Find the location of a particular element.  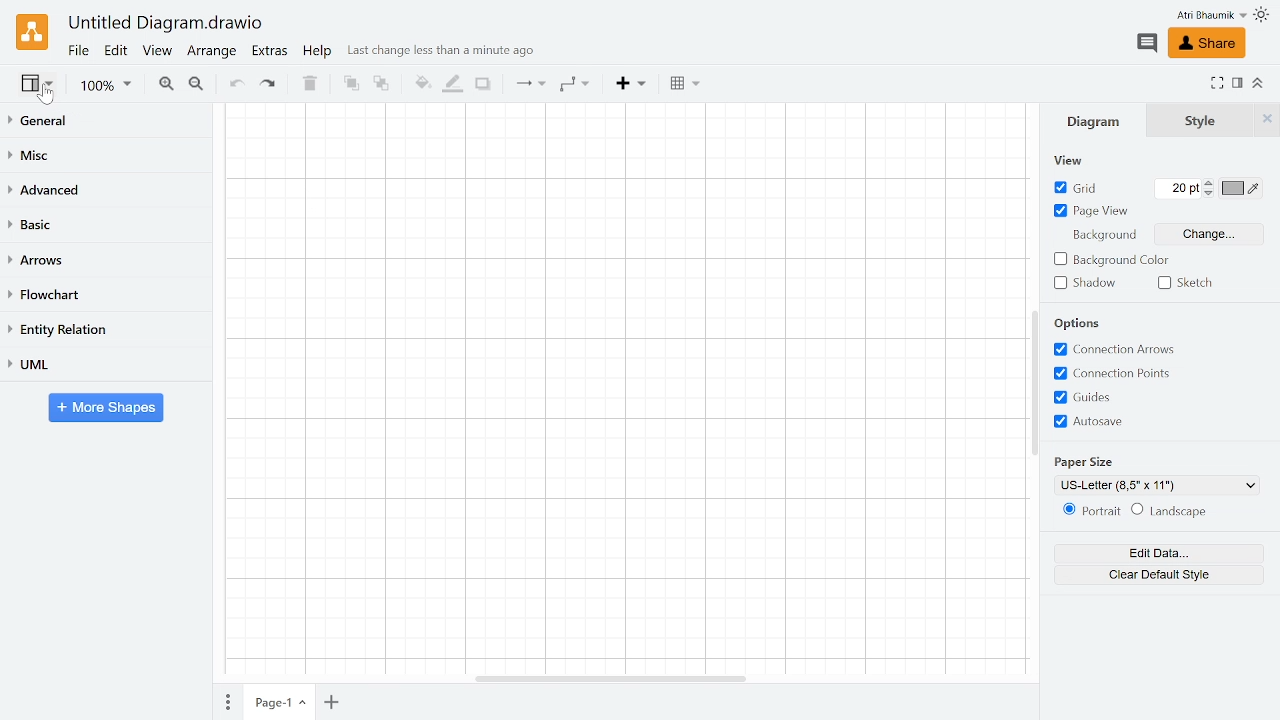

Decrease grid pt is located at coordinates (1210, 195).